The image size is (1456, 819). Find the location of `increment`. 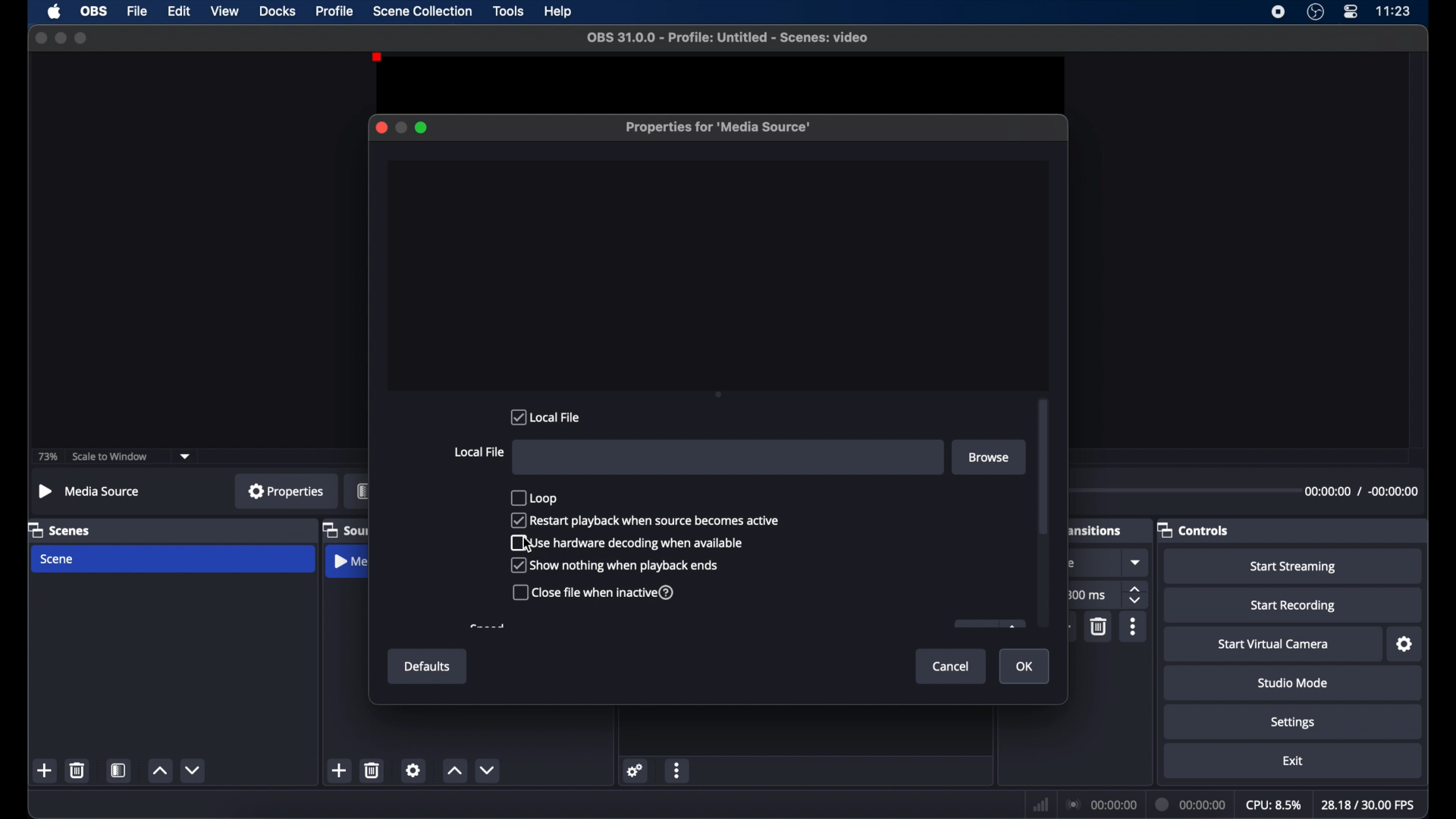

increment is located at coordinates (159, 771).